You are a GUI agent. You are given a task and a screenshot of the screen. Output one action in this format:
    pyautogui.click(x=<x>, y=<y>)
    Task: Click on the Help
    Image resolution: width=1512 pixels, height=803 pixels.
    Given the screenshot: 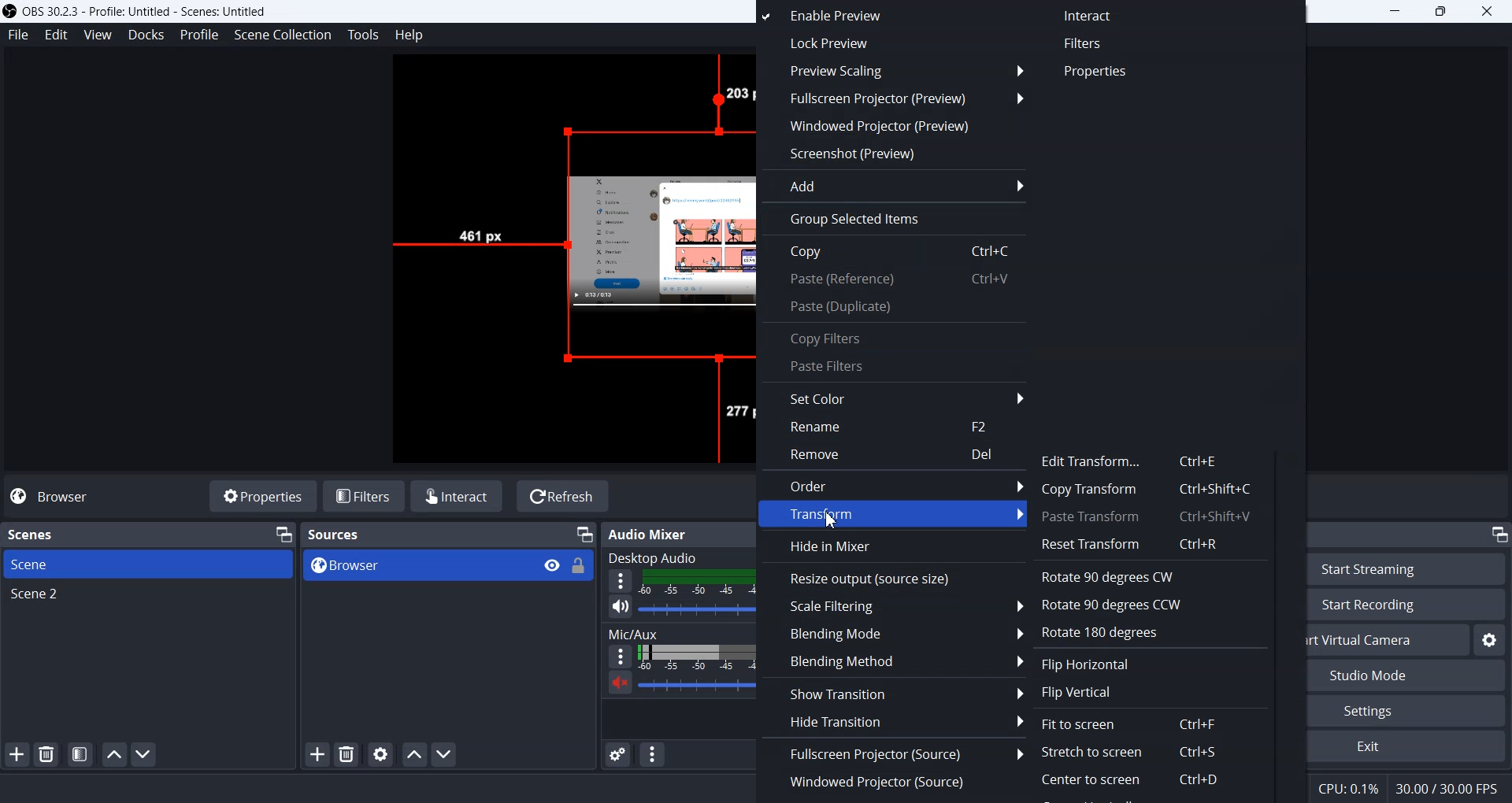 What is the action you would take?
    pyautogui.click(x=409, y=34)
    